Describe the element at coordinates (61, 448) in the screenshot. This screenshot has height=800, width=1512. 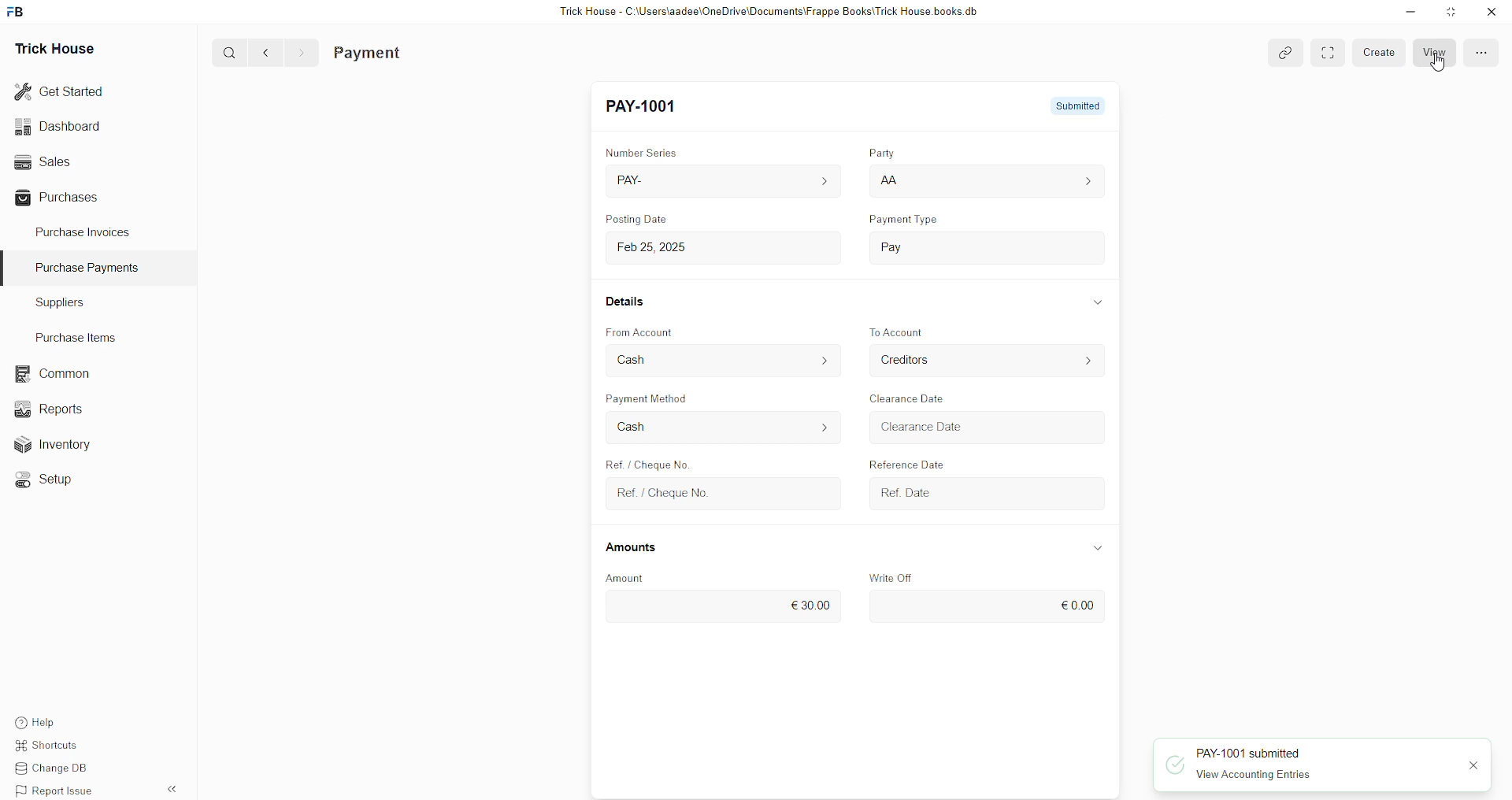
I see `Inventory` at that location.